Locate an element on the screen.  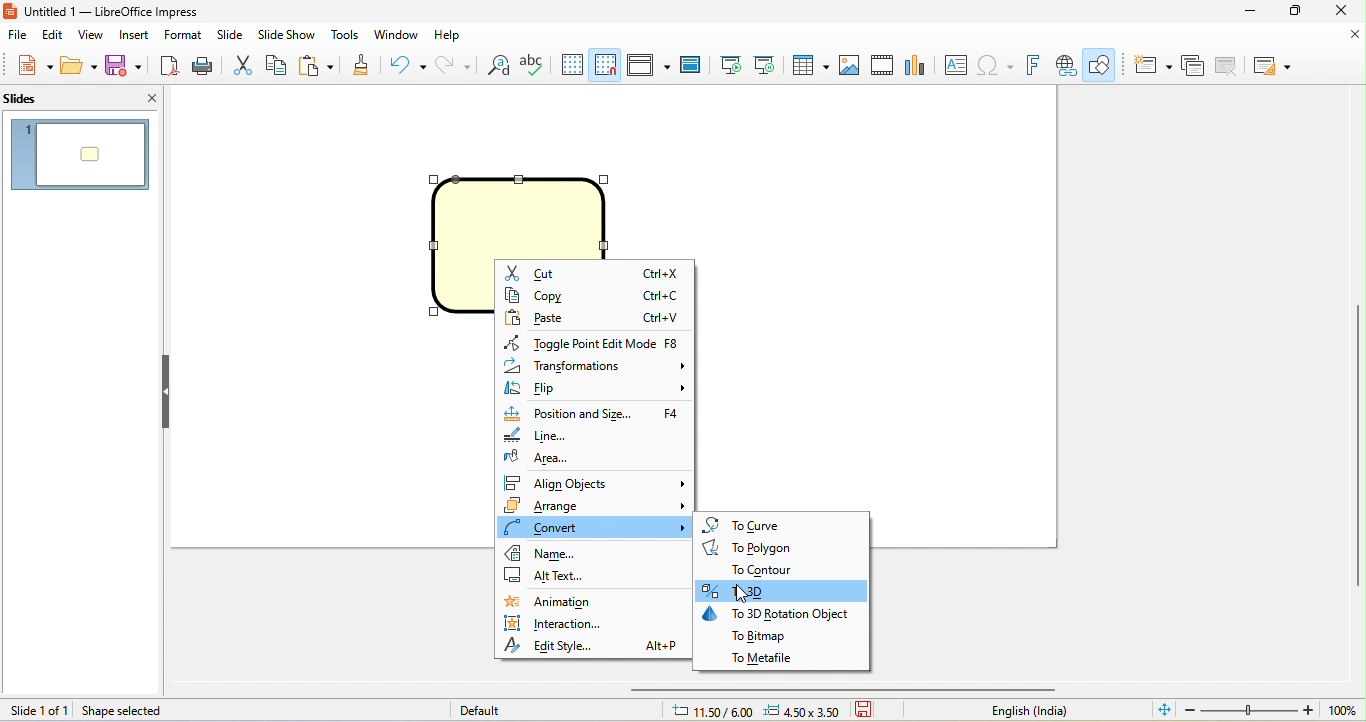
print is located at coordinates (205, 64).